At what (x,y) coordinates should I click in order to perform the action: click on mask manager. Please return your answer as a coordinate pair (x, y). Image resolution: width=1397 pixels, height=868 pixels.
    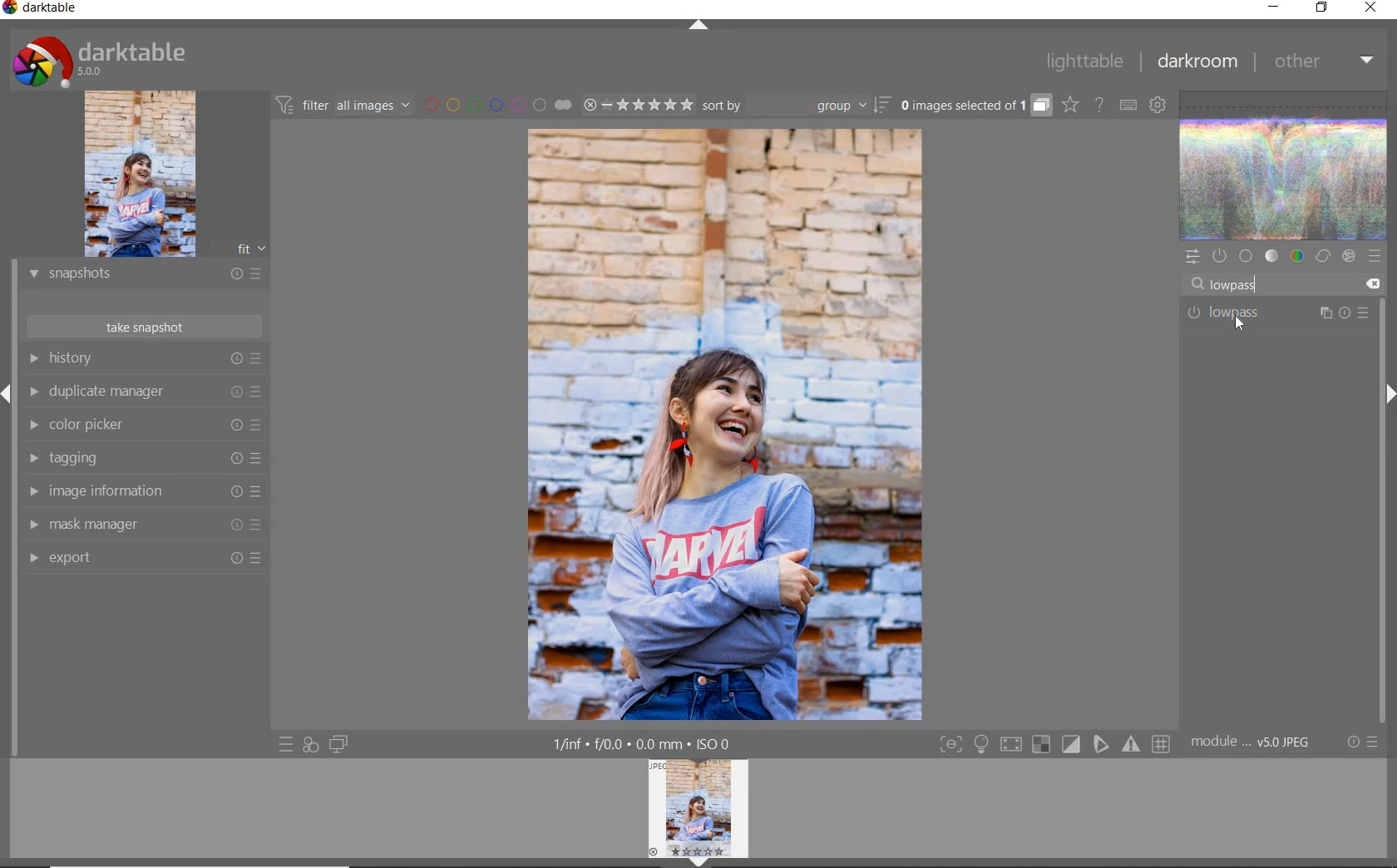
    Looking at the image, I should click on (143, 526).